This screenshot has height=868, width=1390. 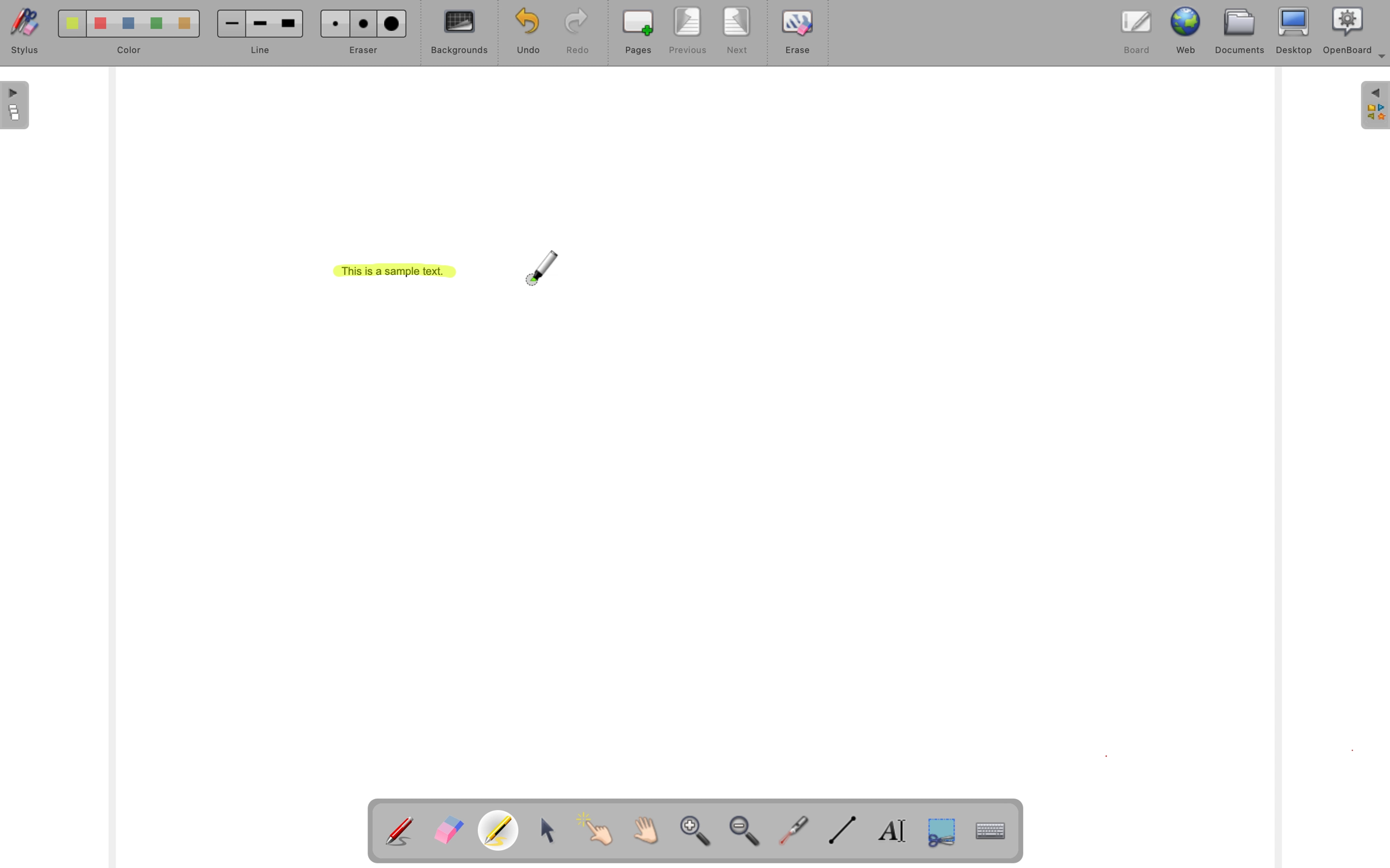 I want to click on erase, so click(x=798, y=33).